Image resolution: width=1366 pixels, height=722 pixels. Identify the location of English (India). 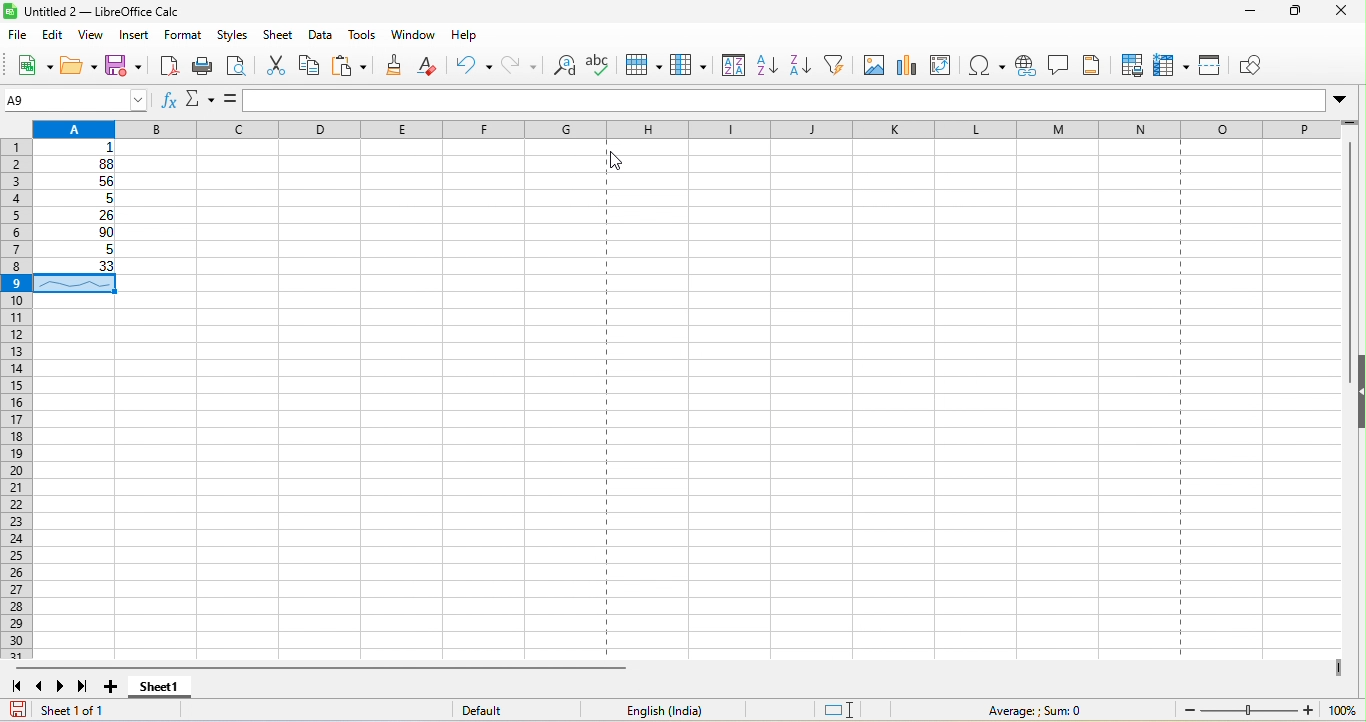
(673, 710).